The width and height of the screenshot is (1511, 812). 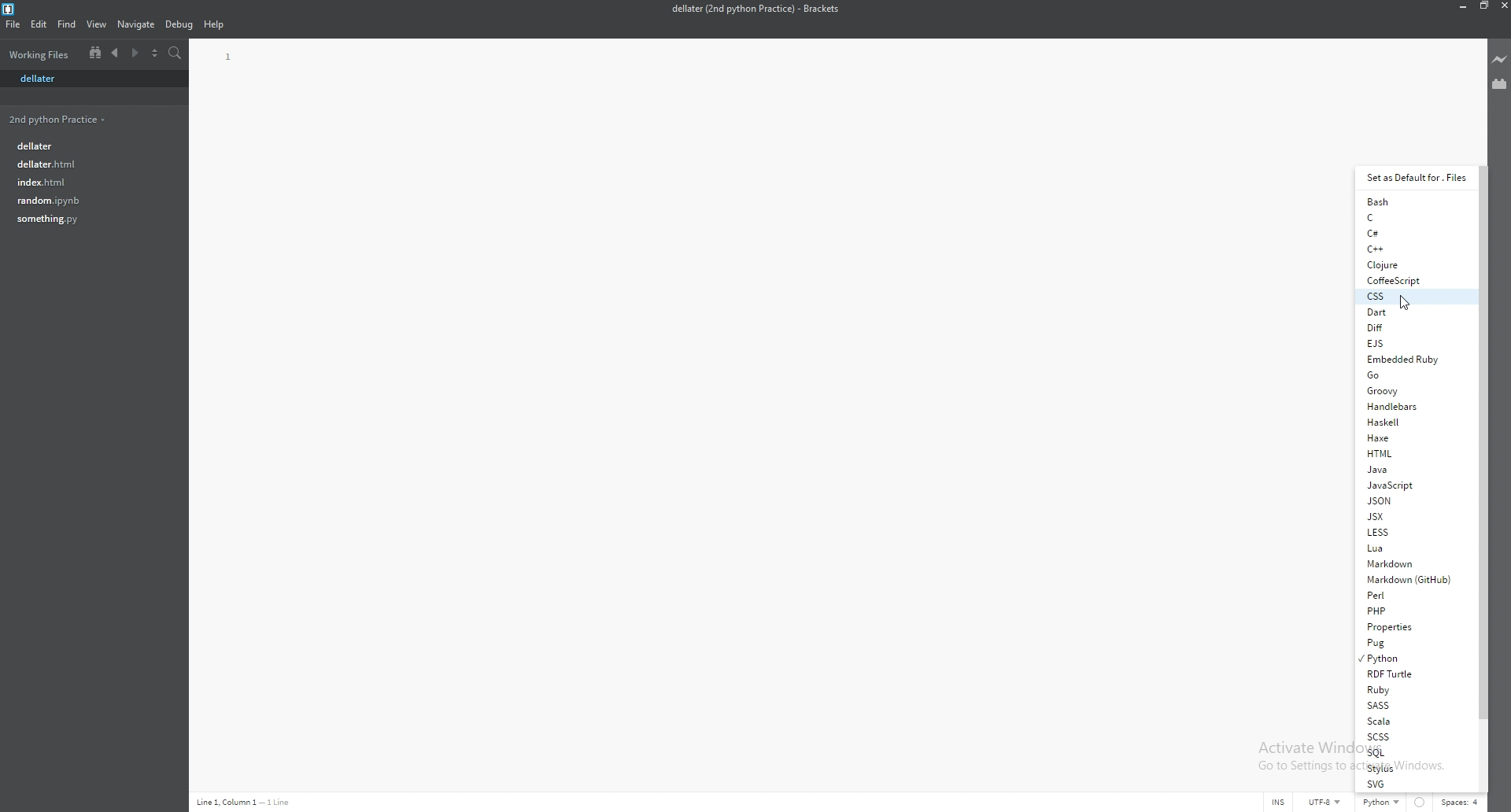 I want to click on clojure, so click(x=1414, y=264).